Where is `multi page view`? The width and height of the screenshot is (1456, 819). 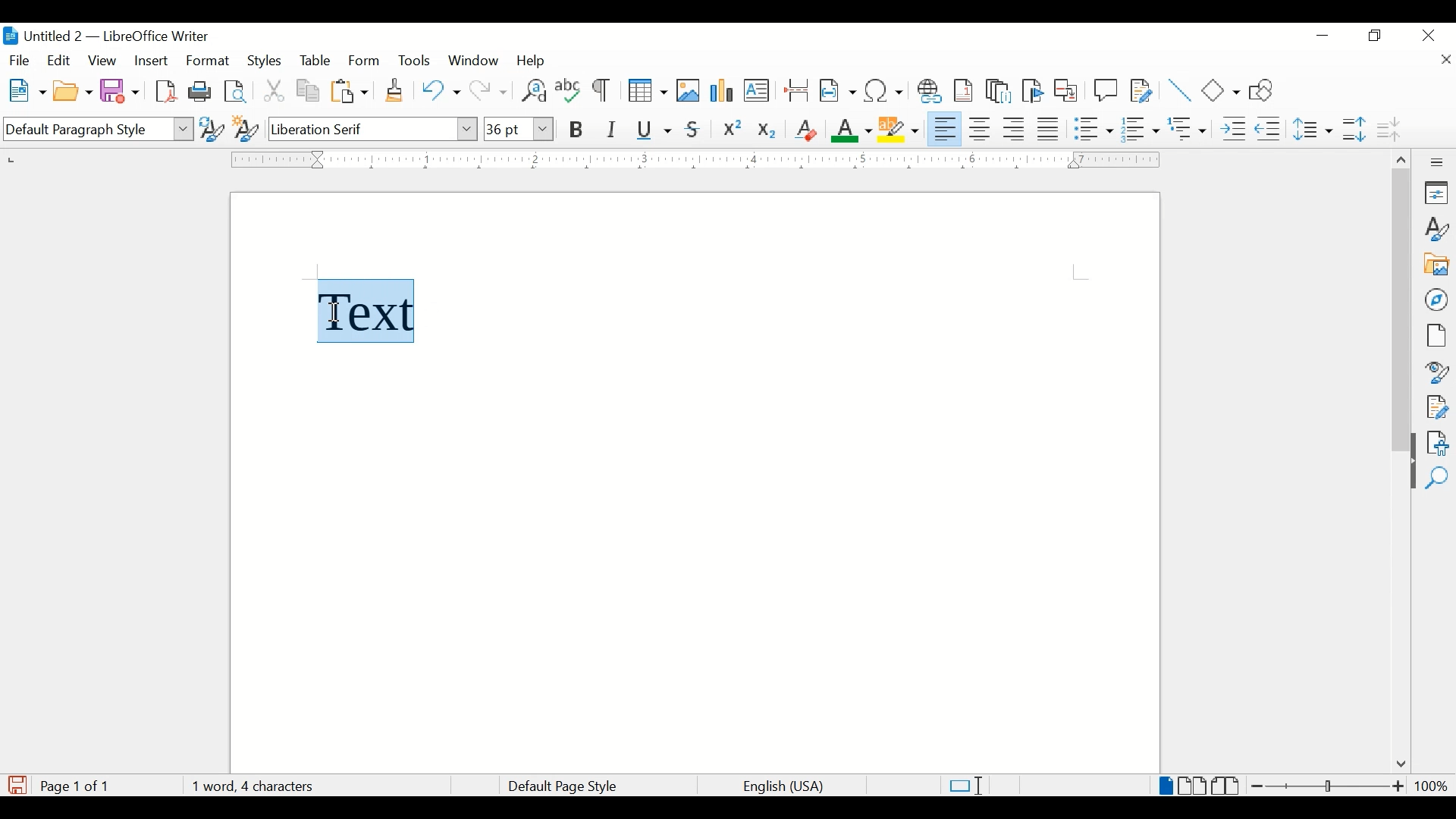
multi page view is located at coordinates (1194, 786).